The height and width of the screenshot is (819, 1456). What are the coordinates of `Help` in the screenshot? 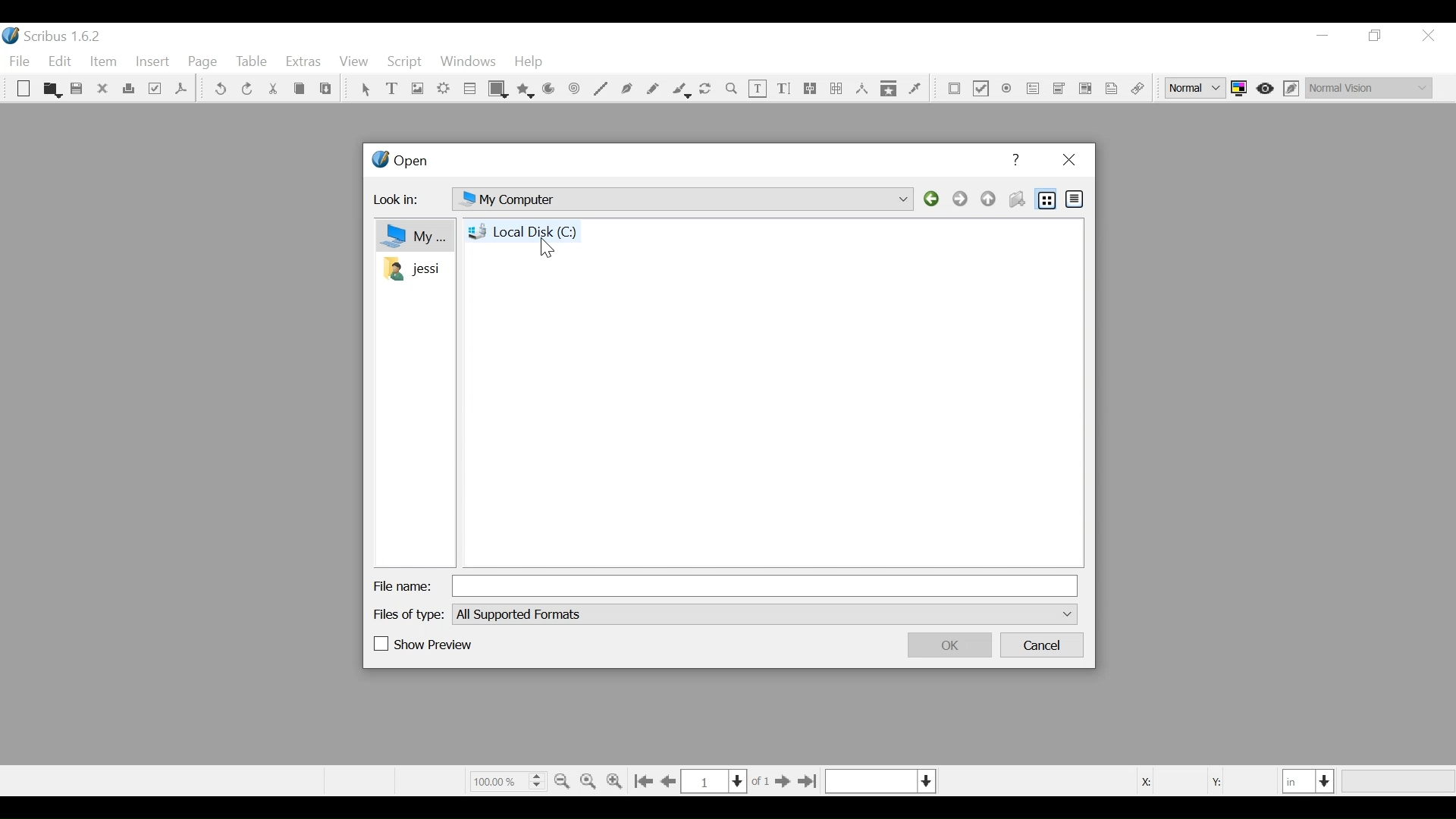 It's located at (1018, 160).